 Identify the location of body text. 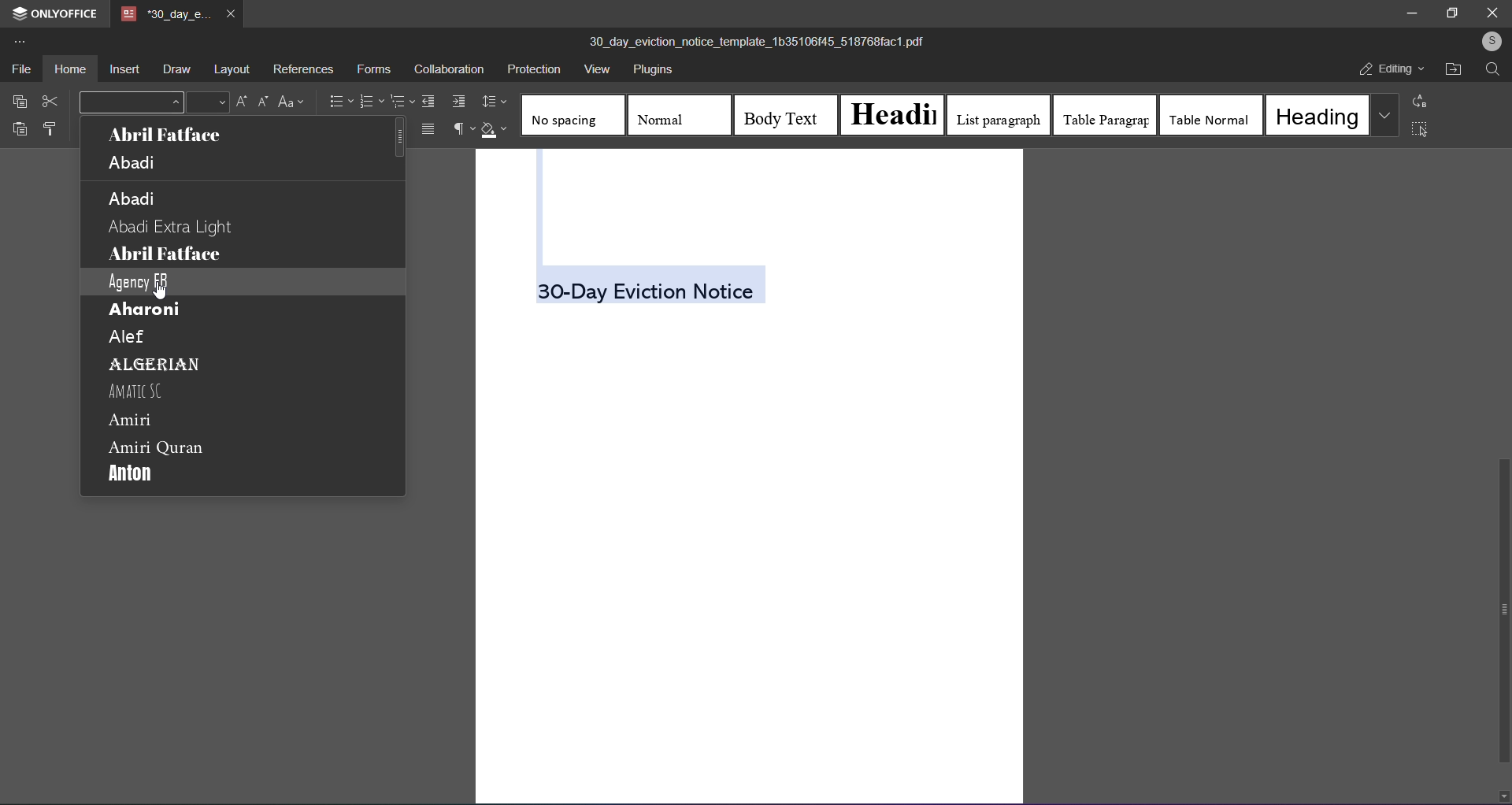
(783, 114).